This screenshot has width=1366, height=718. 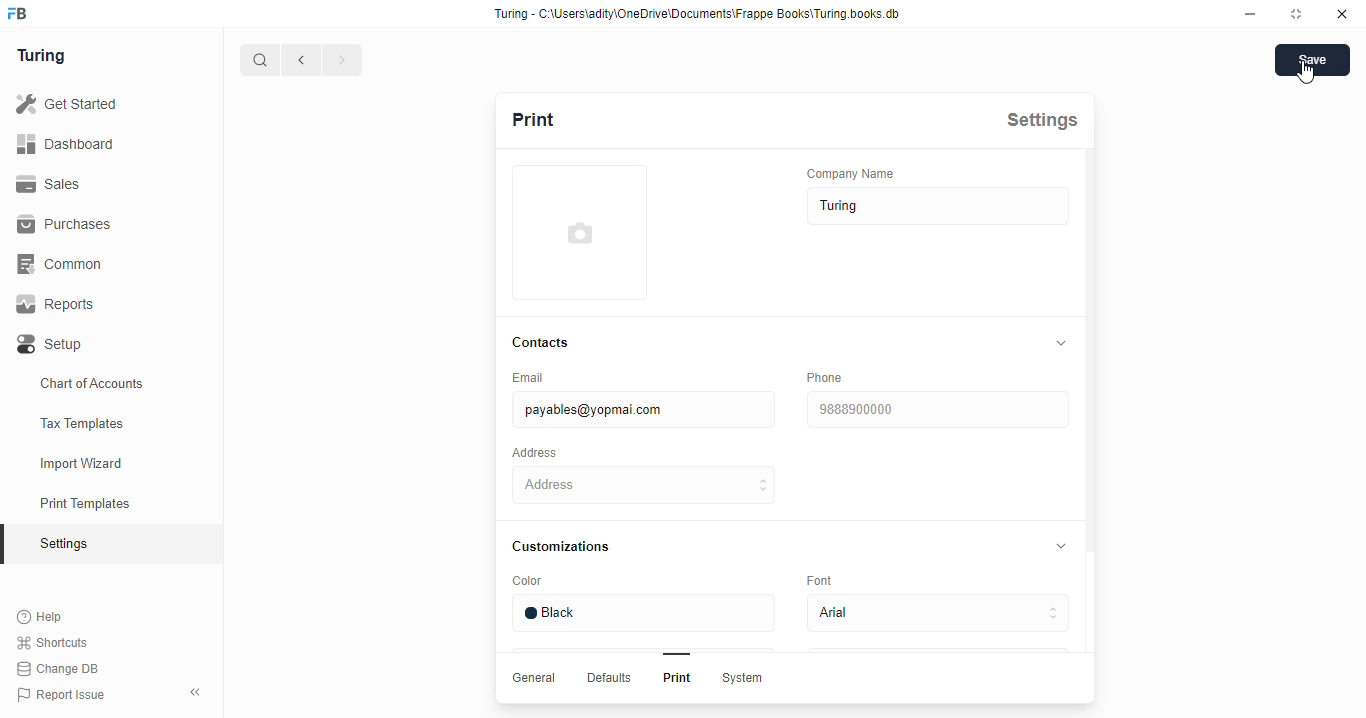 What do you see at coordinates (702, 14) in the screenshot?
I see `Turing - C:\Users\adity\OneDrive\Documents\Frappe Books\Turing books. db` at bounding box center [702, 14].